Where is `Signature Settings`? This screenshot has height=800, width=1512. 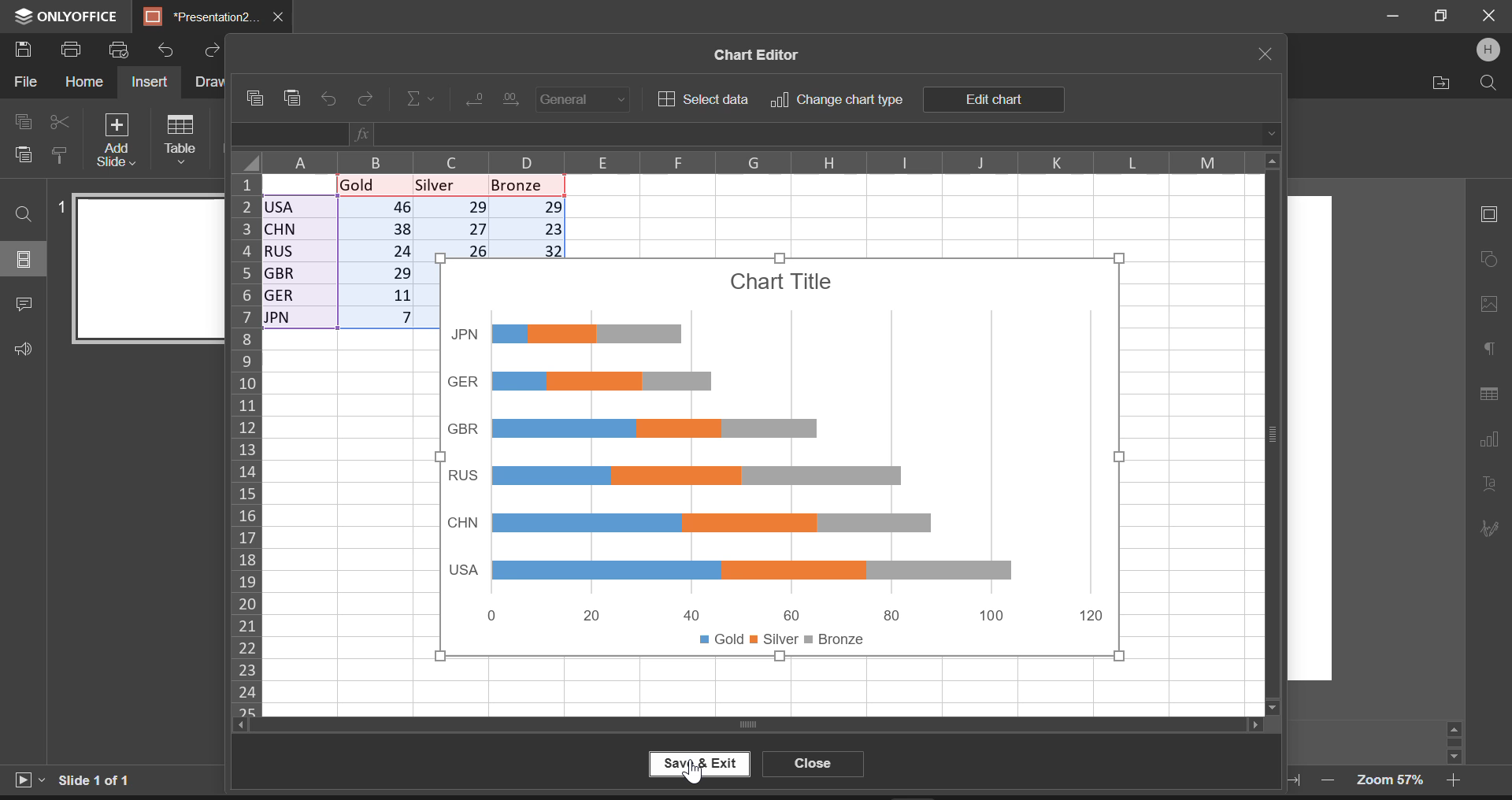 Signature Settings is located at coordinates (1488, 528).